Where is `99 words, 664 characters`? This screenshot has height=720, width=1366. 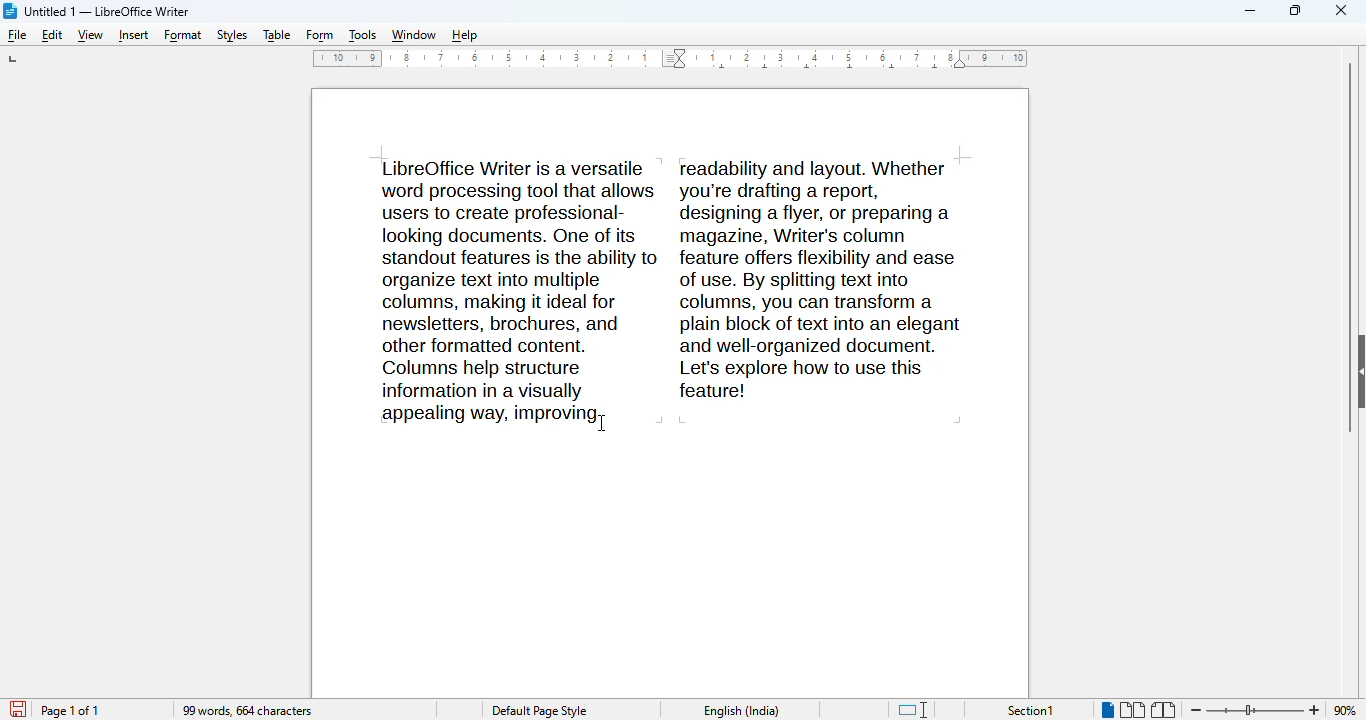
99 words, 664 characters is located at coordinates (248, 712).